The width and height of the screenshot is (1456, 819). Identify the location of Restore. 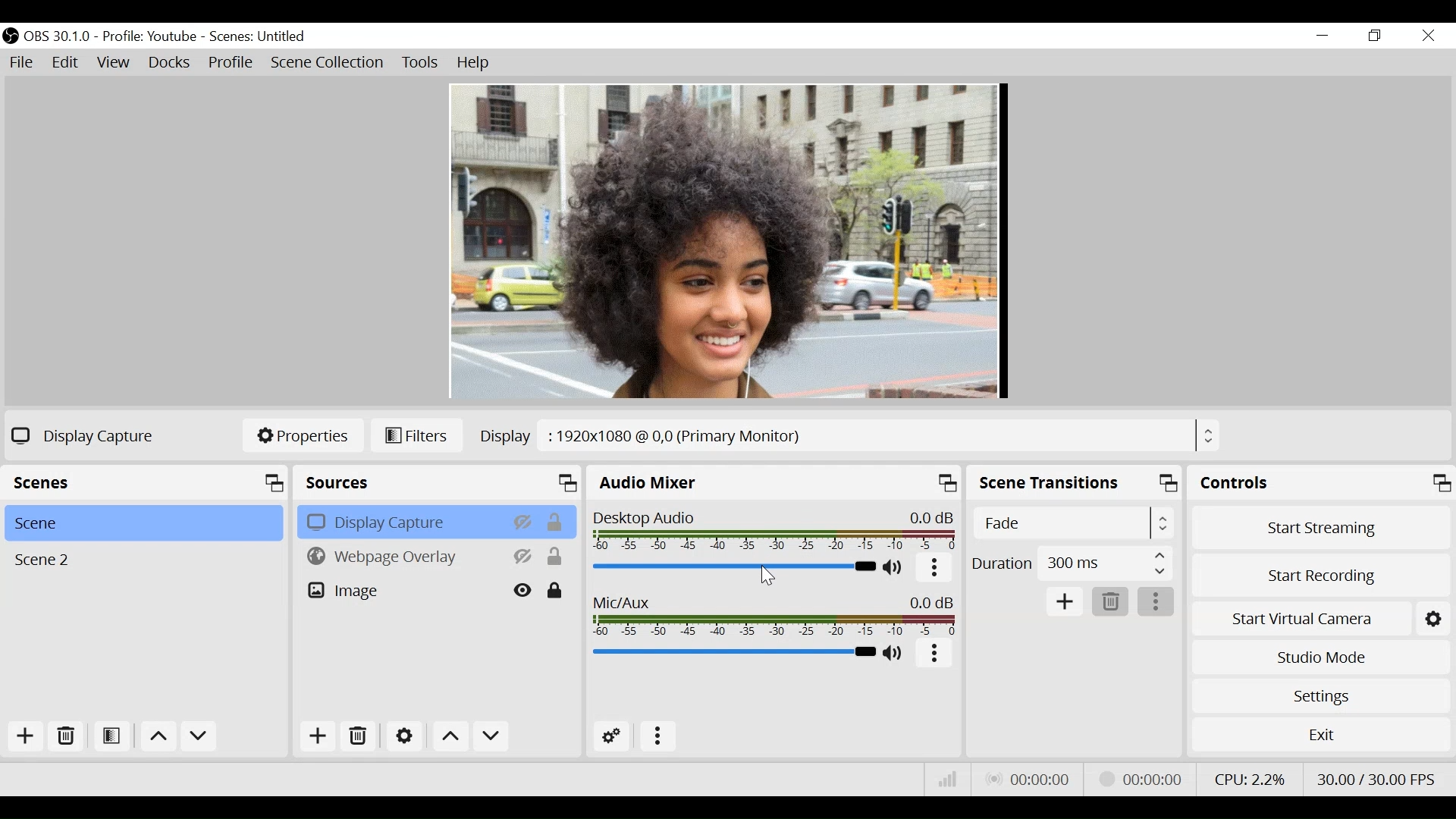
(1373, 35).